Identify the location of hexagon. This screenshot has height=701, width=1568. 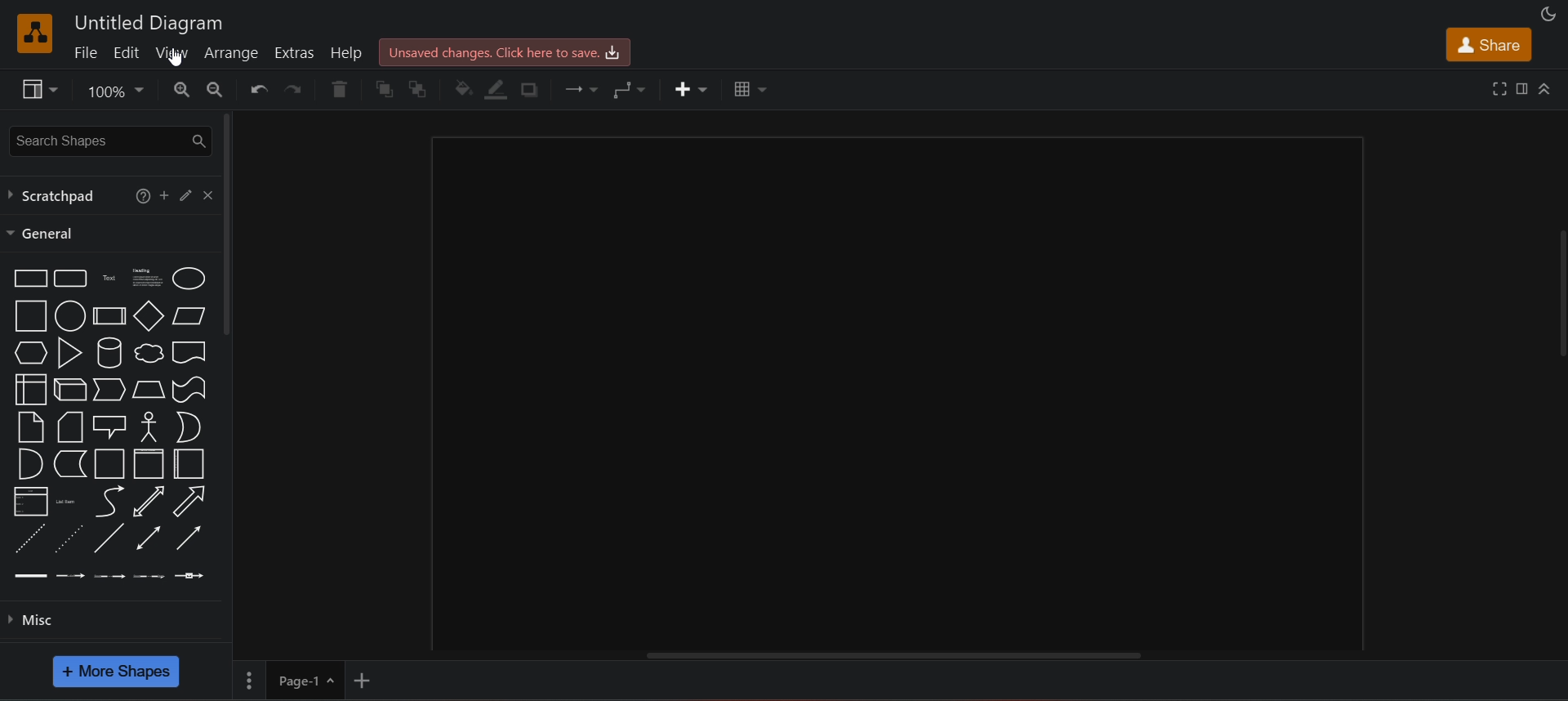
(31, 352).